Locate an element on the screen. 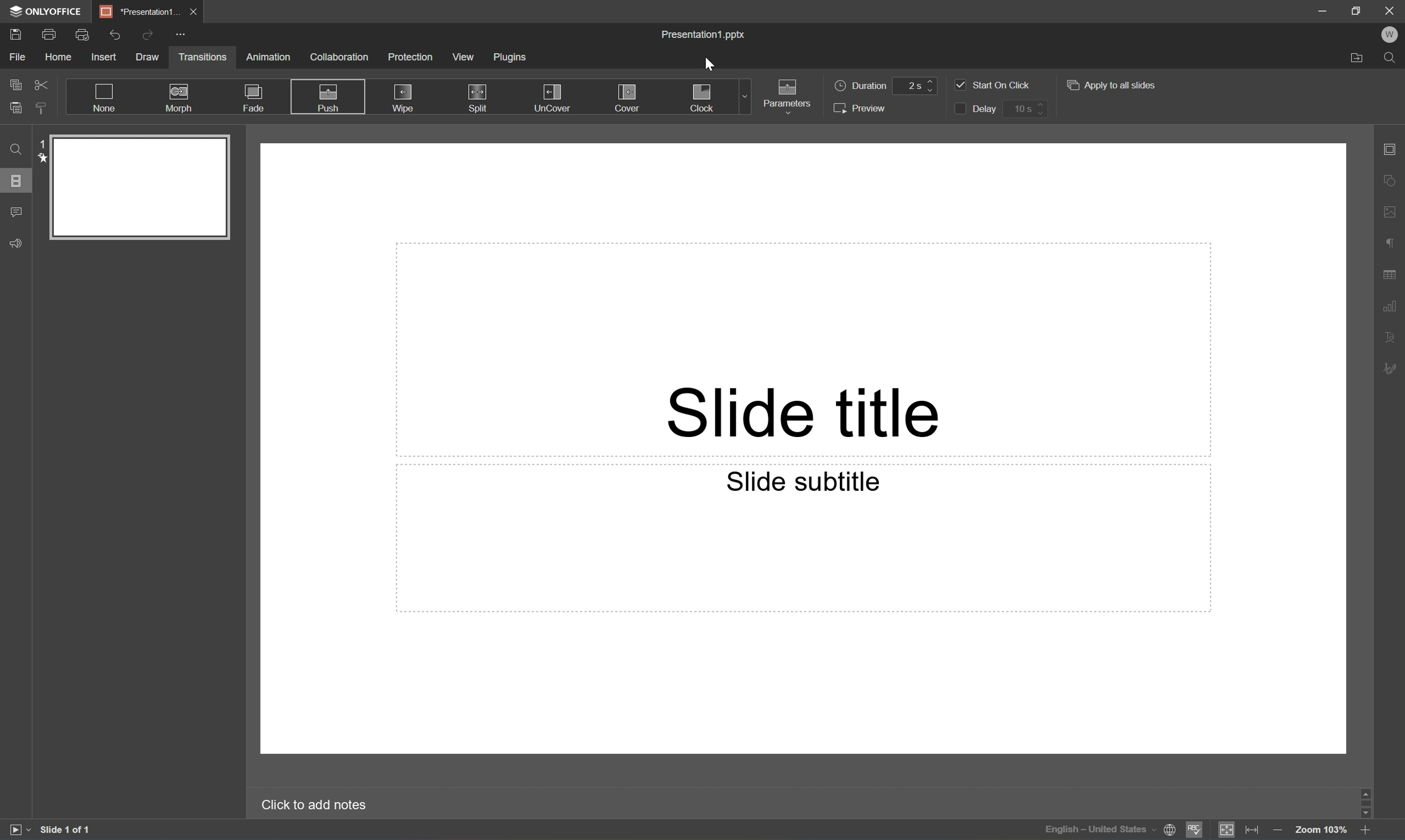 The image size is (1405, 840). Start slideshow is located at coordinates (20, 829).